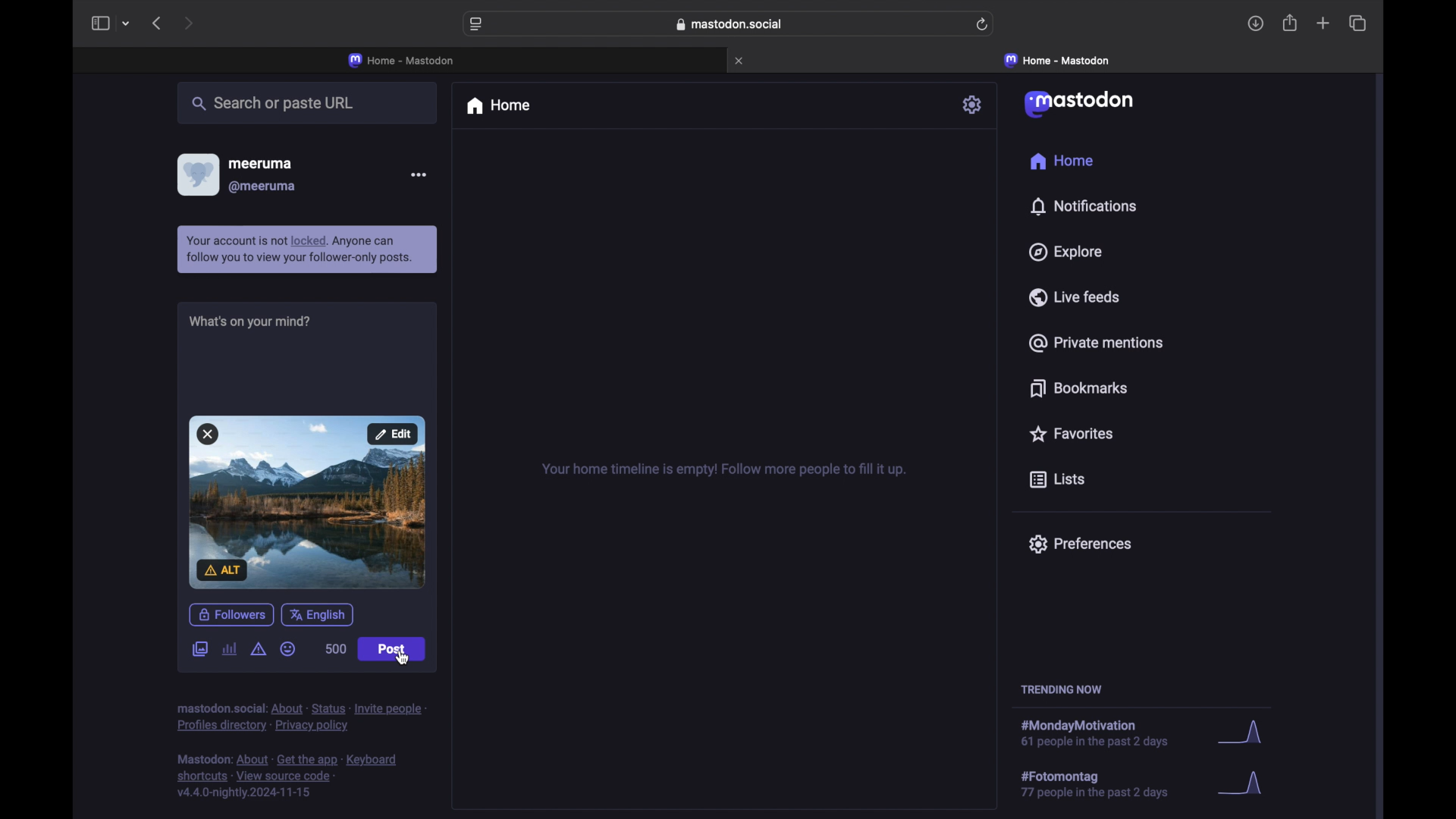 The width and height of the screenshot is (1456, 819). What do you see at coordinates (199, 648) in the screenshot?
I see `add image` at bounding box center [199, 648].